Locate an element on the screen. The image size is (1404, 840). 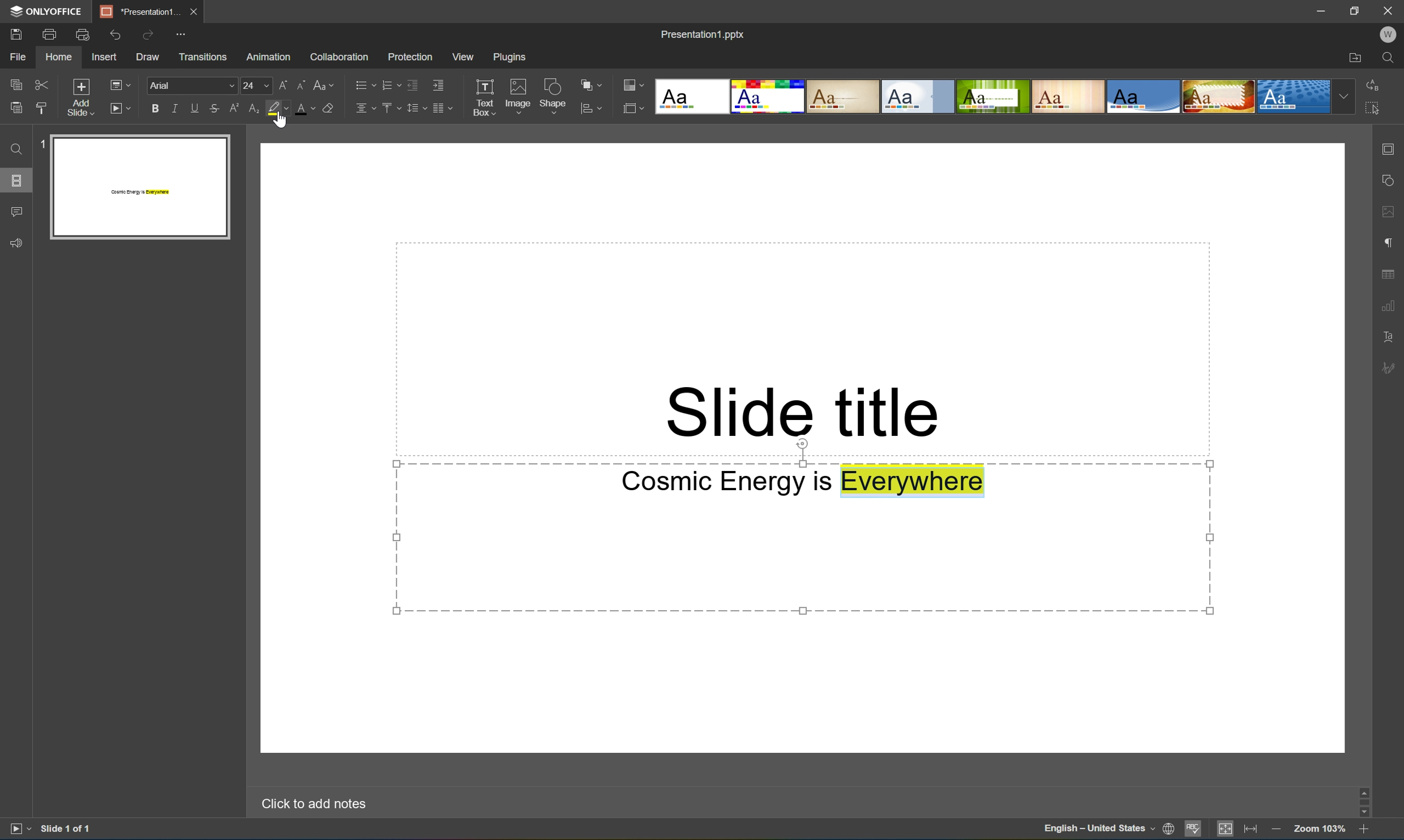
Superscript is located at coordinates (233, 106).